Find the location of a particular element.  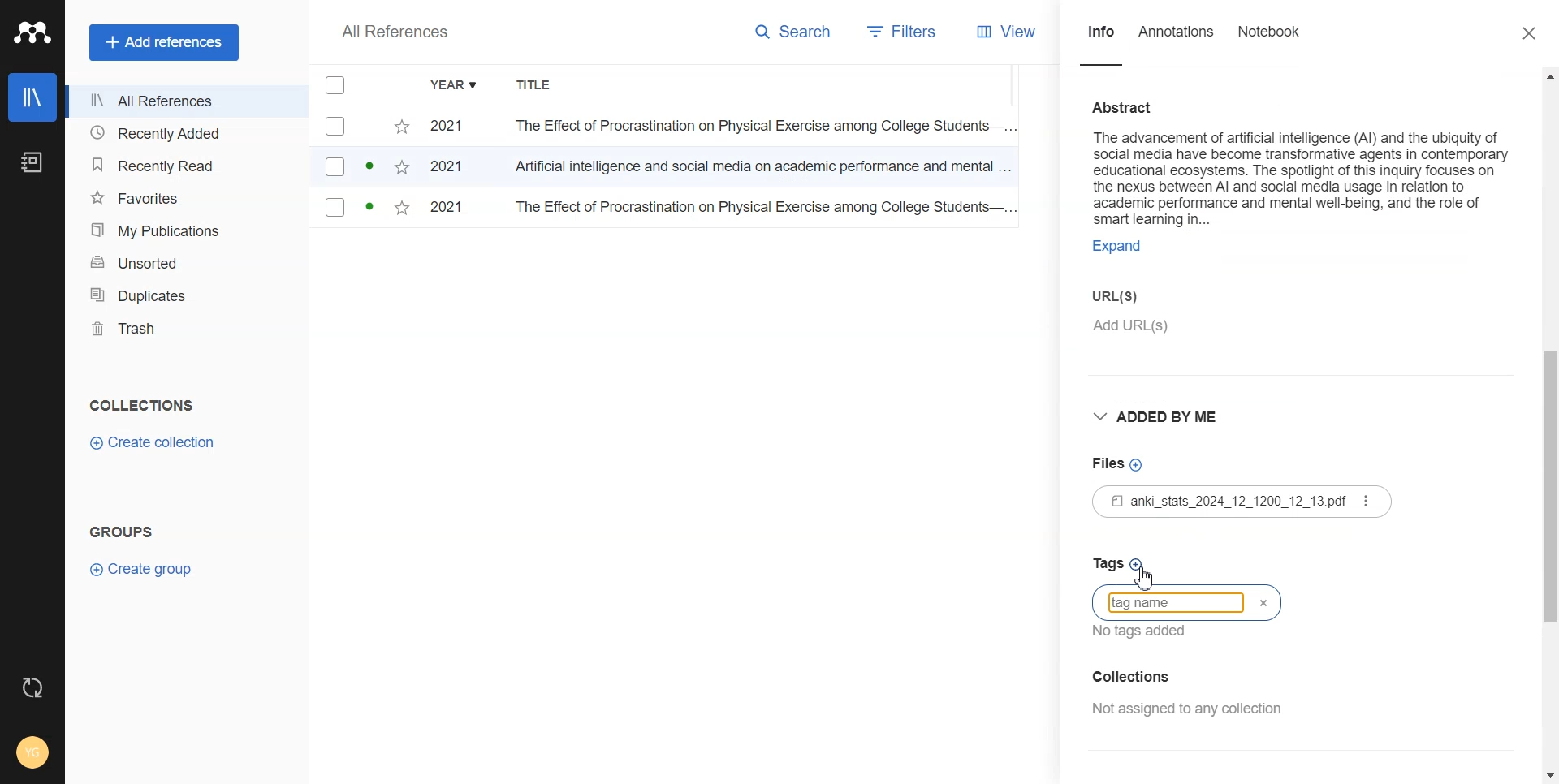

Add references is located at coordinates (166, 42).